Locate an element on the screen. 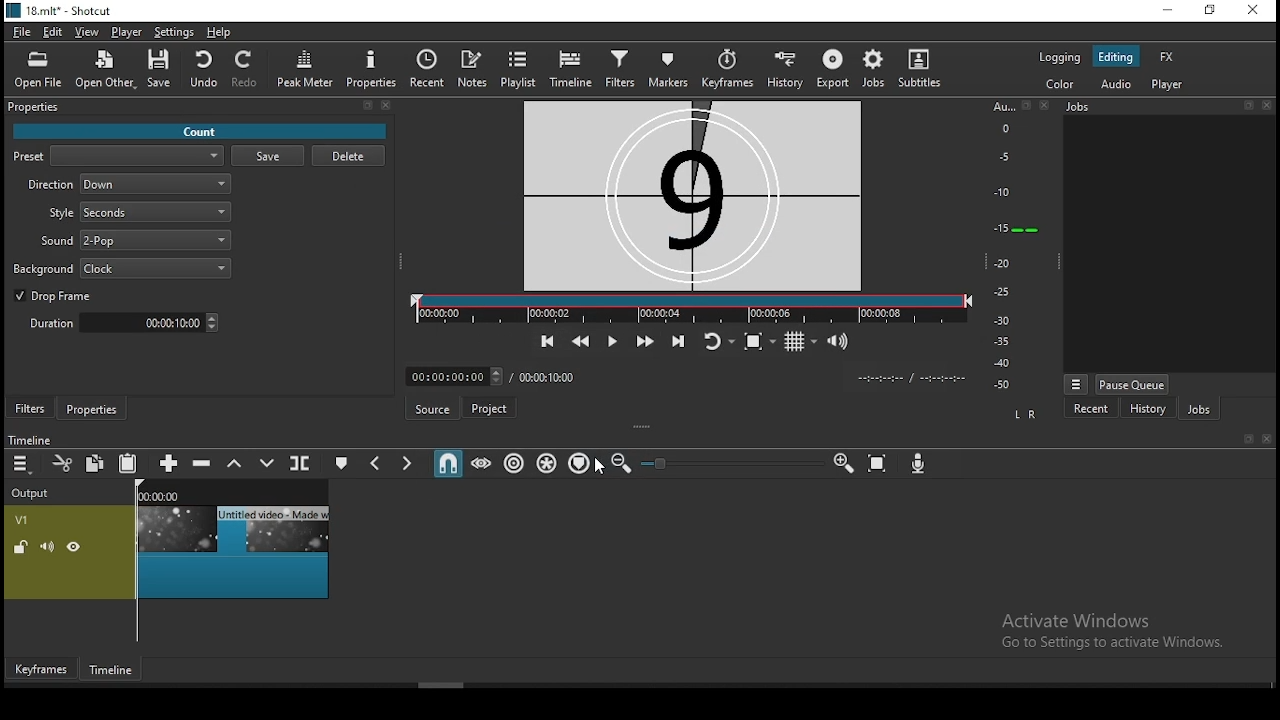   is located at coordinates (643, 342).